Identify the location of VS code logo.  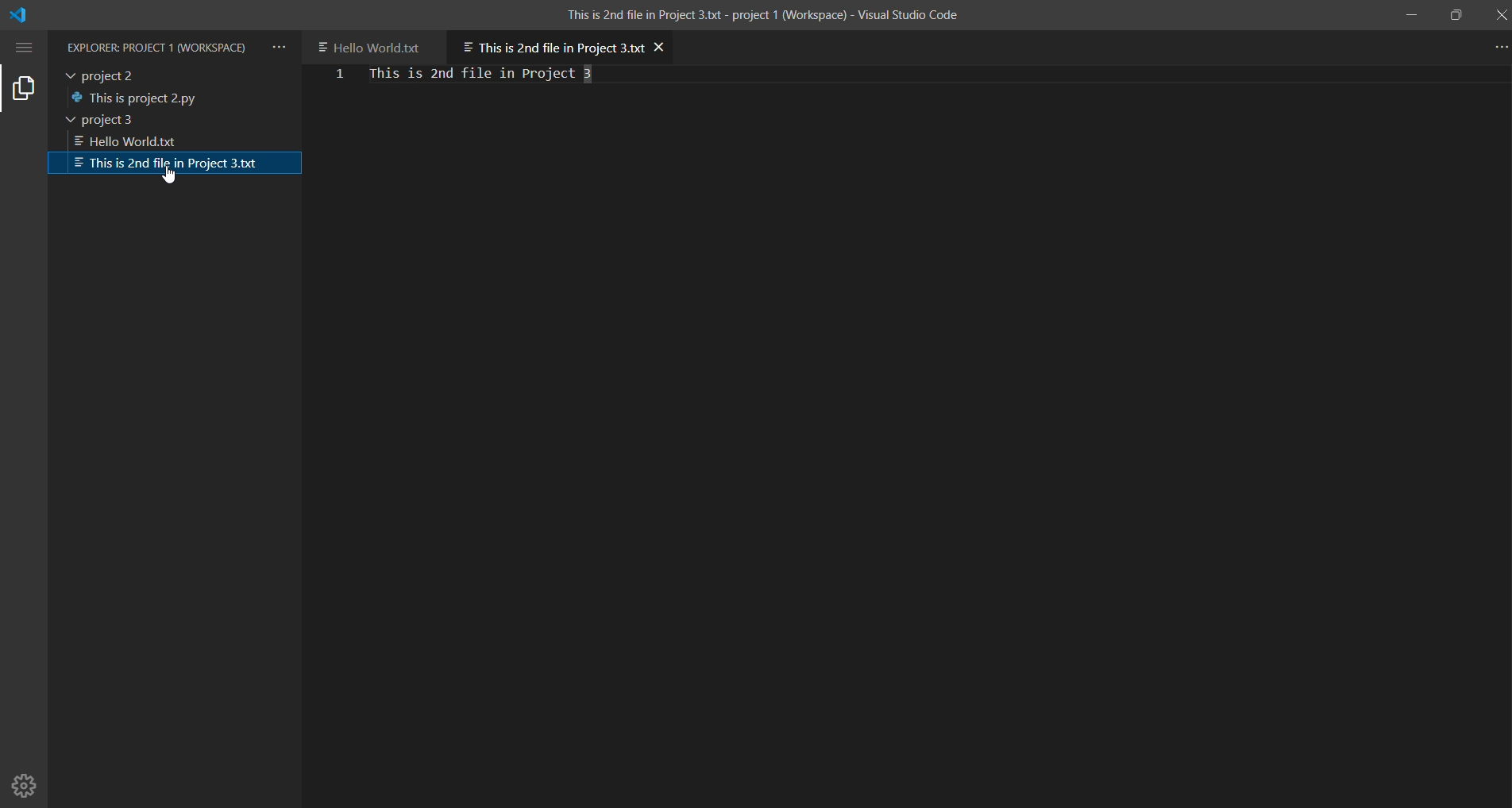
(22, 17).